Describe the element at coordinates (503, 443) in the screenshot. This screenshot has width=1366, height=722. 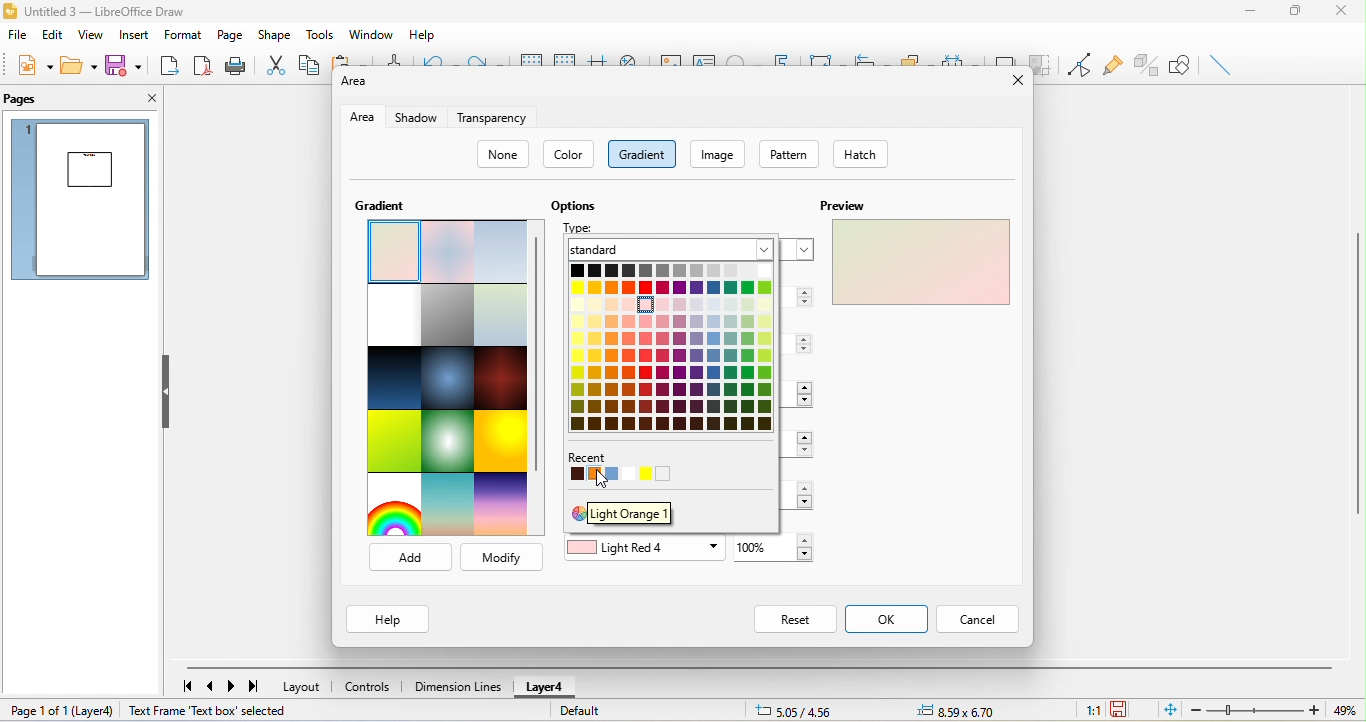
I see `sunshine` at that location.